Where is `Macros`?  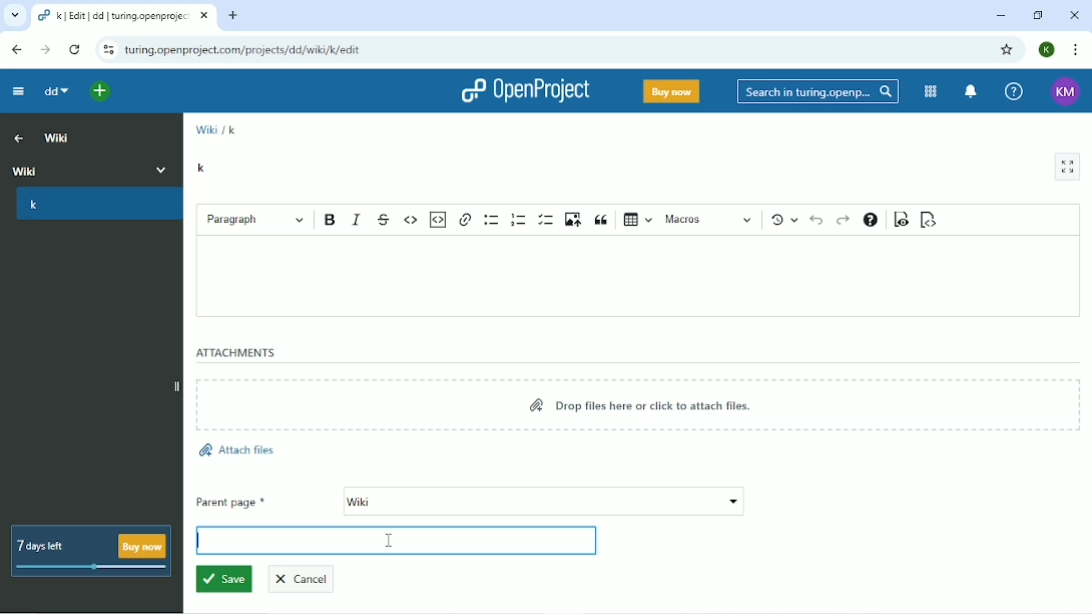
Macros is located at coordinates (709, 220).